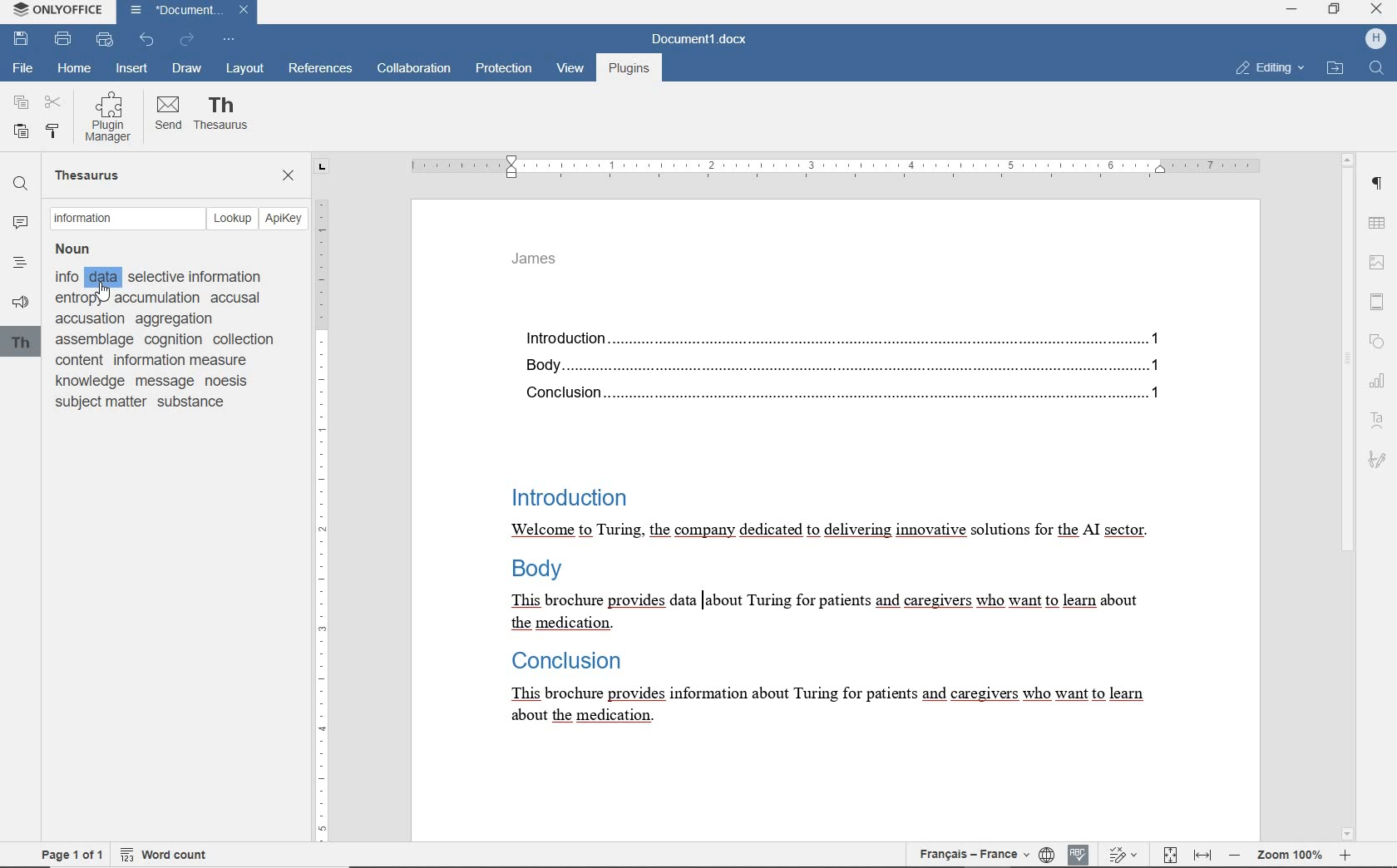 The width and height of the screenshot is (1397, 868). I want to click on UNDO, so click(146, 39).